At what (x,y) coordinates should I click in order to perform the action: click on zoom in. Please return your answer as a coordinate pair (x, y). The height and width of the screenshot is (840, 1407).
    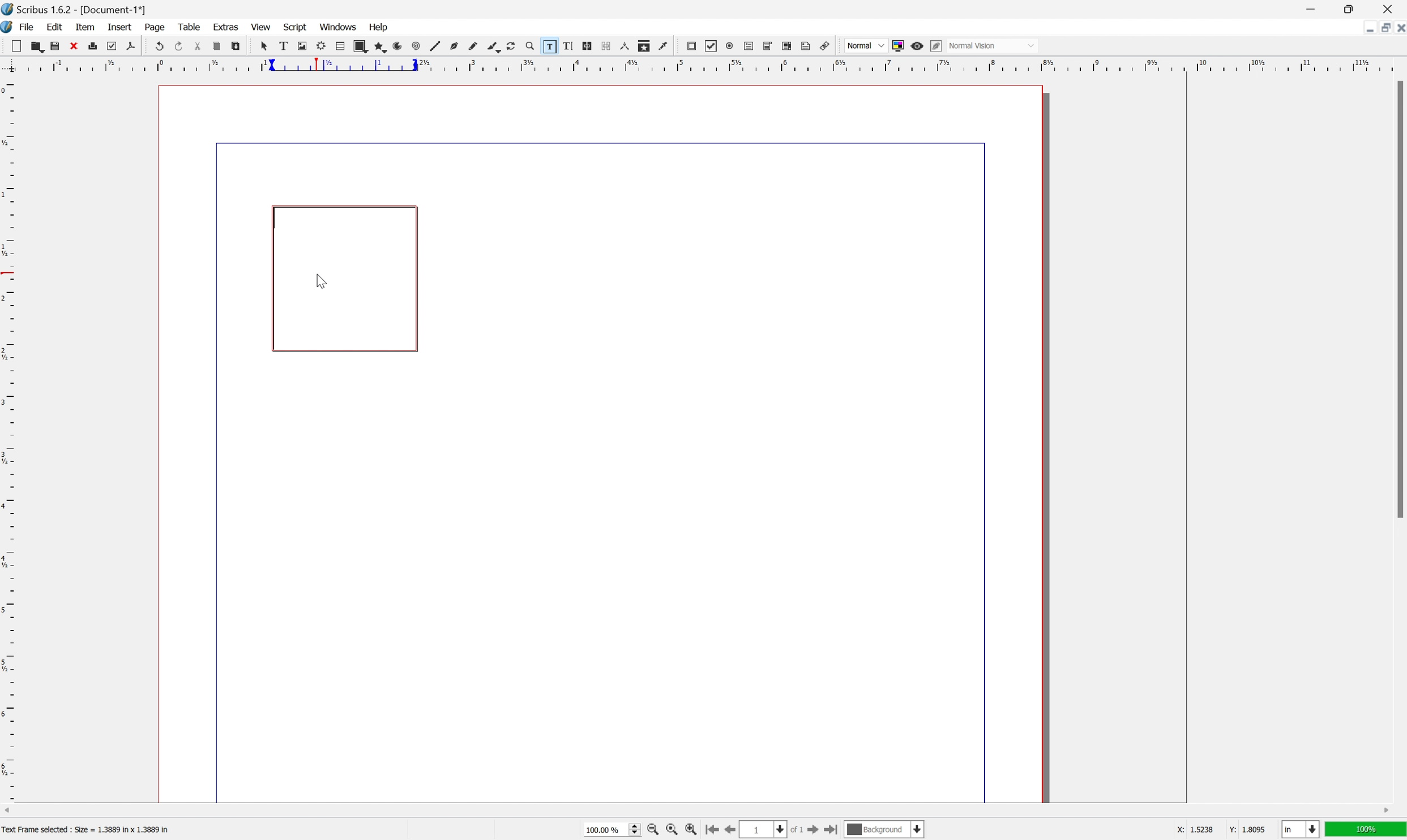
    Looking at the image, I should click on (692, 831).